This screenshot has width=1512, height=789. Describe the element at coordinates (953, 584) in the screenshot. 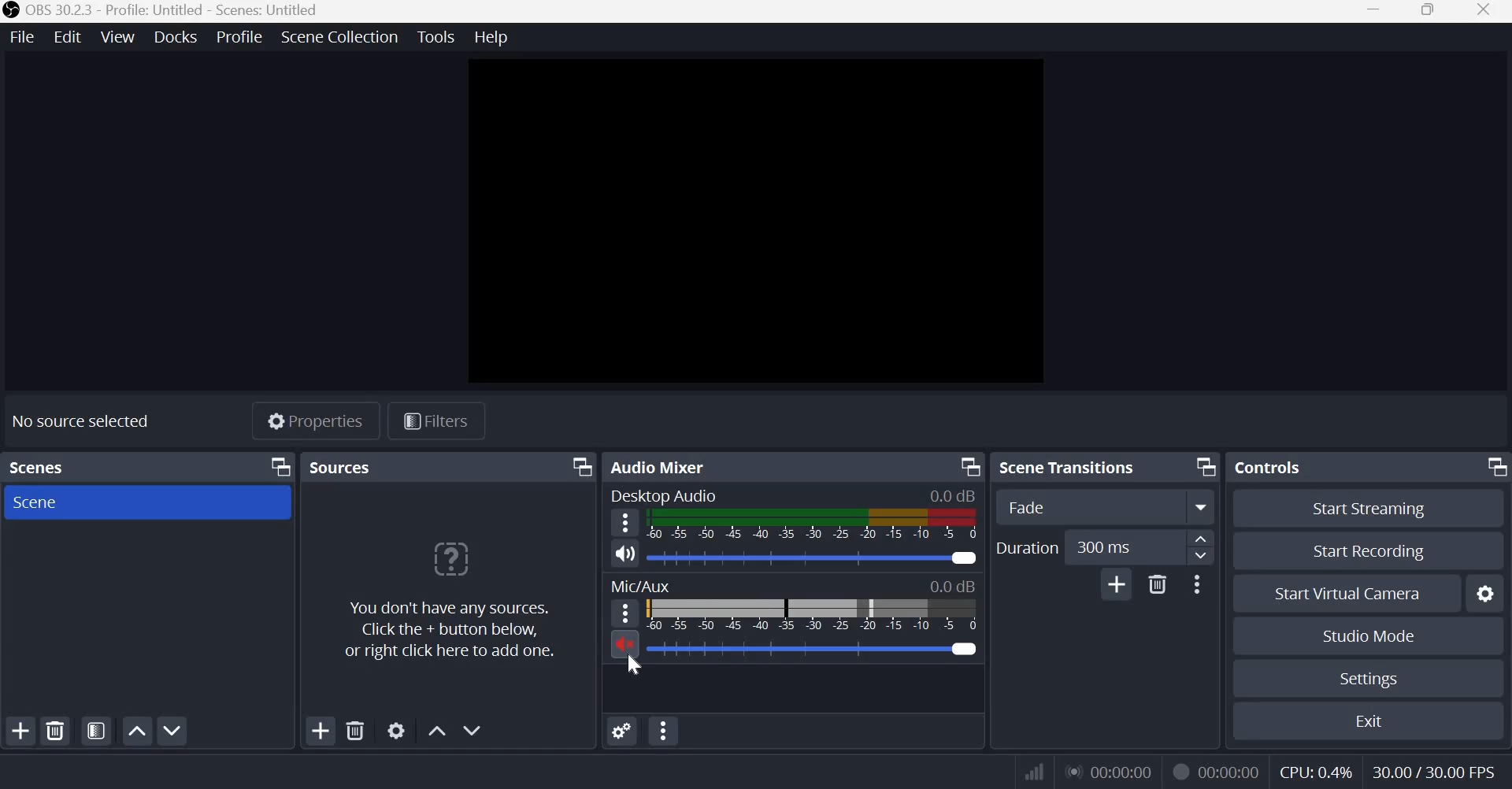

I see `0.00 dB` at that location.